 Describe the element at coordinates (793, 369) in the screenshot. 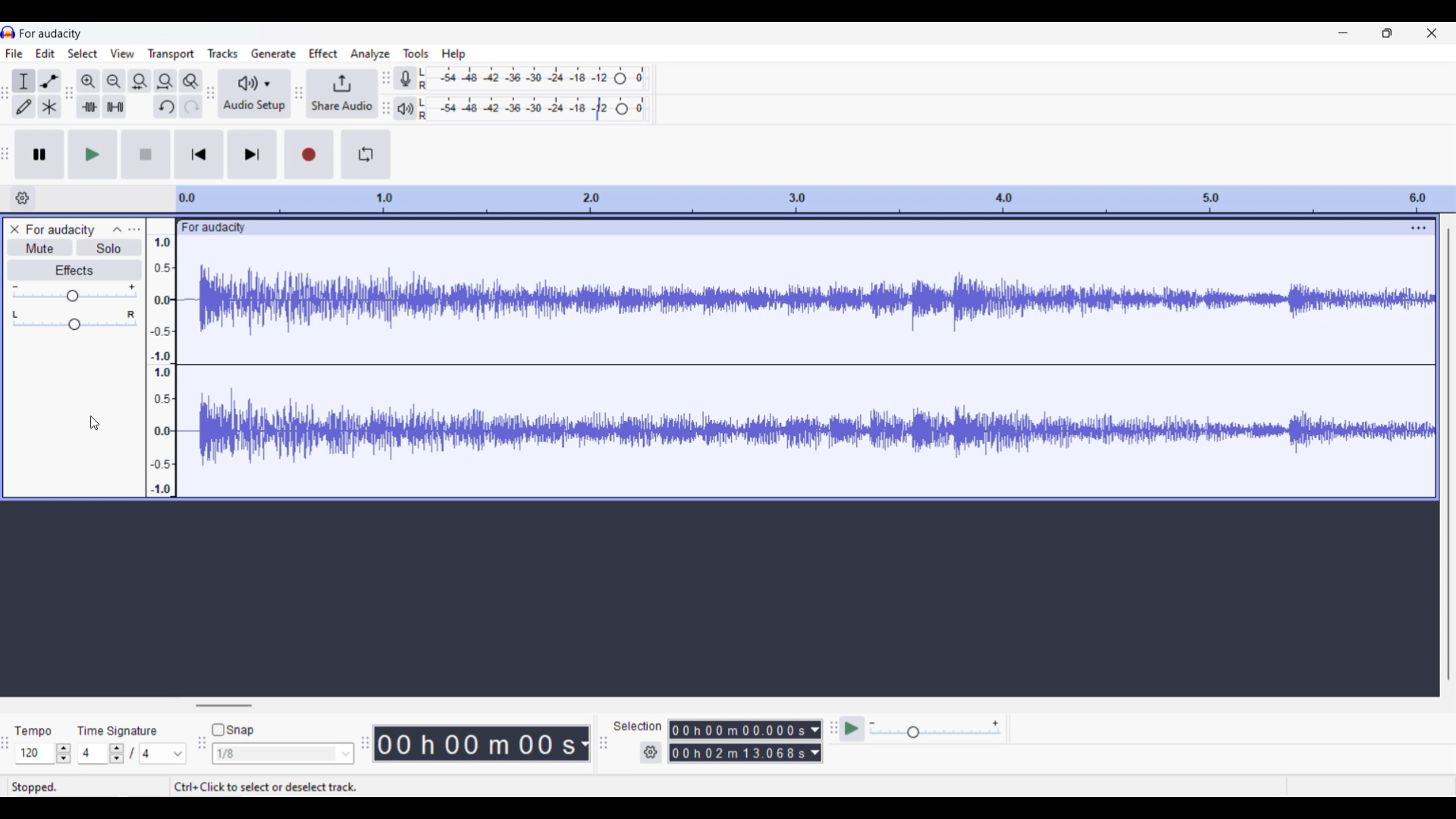

I see `Current track` at that location.